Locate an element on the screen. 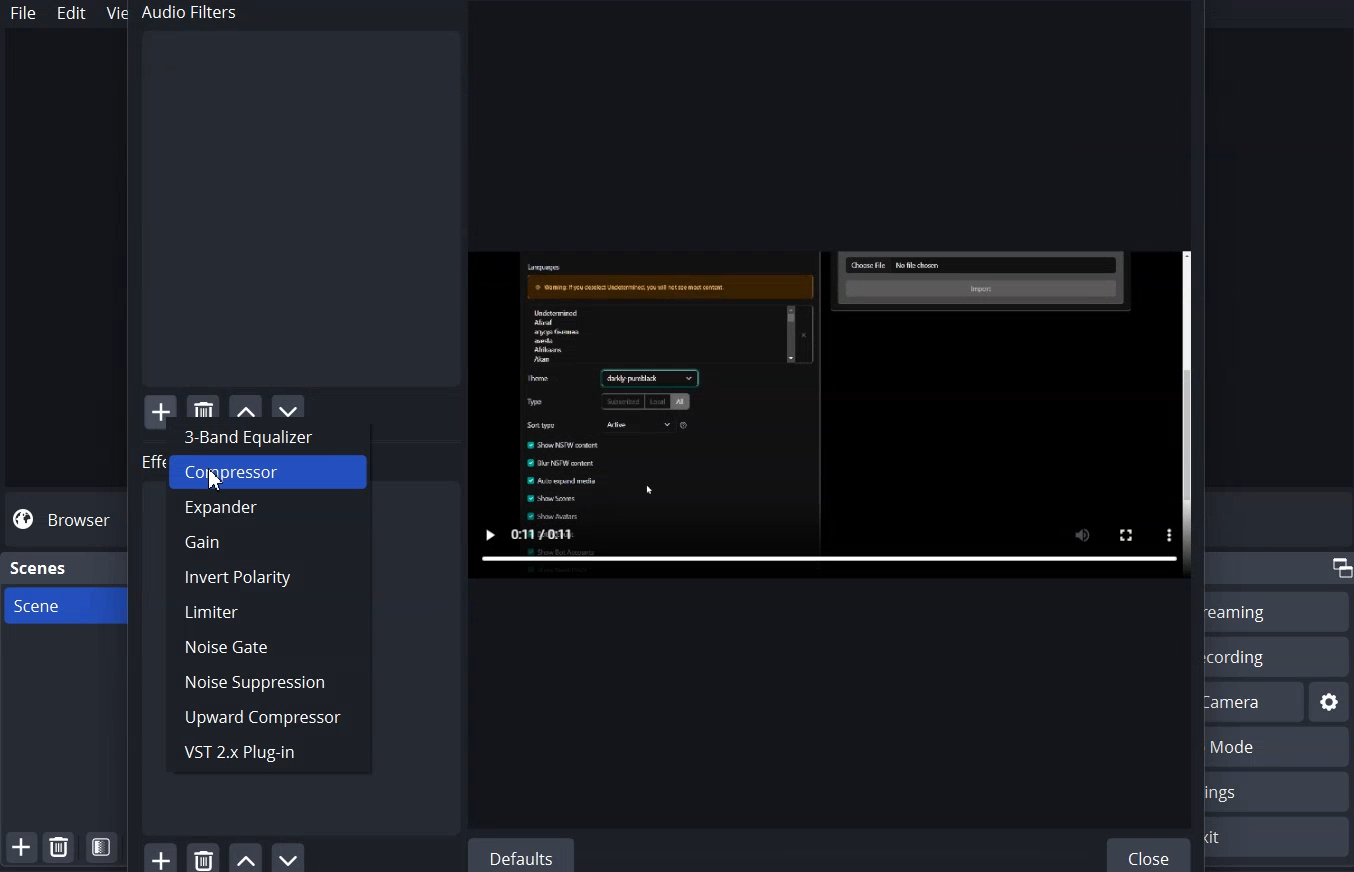  Move Filter Down is located at coordinates (289, 404).